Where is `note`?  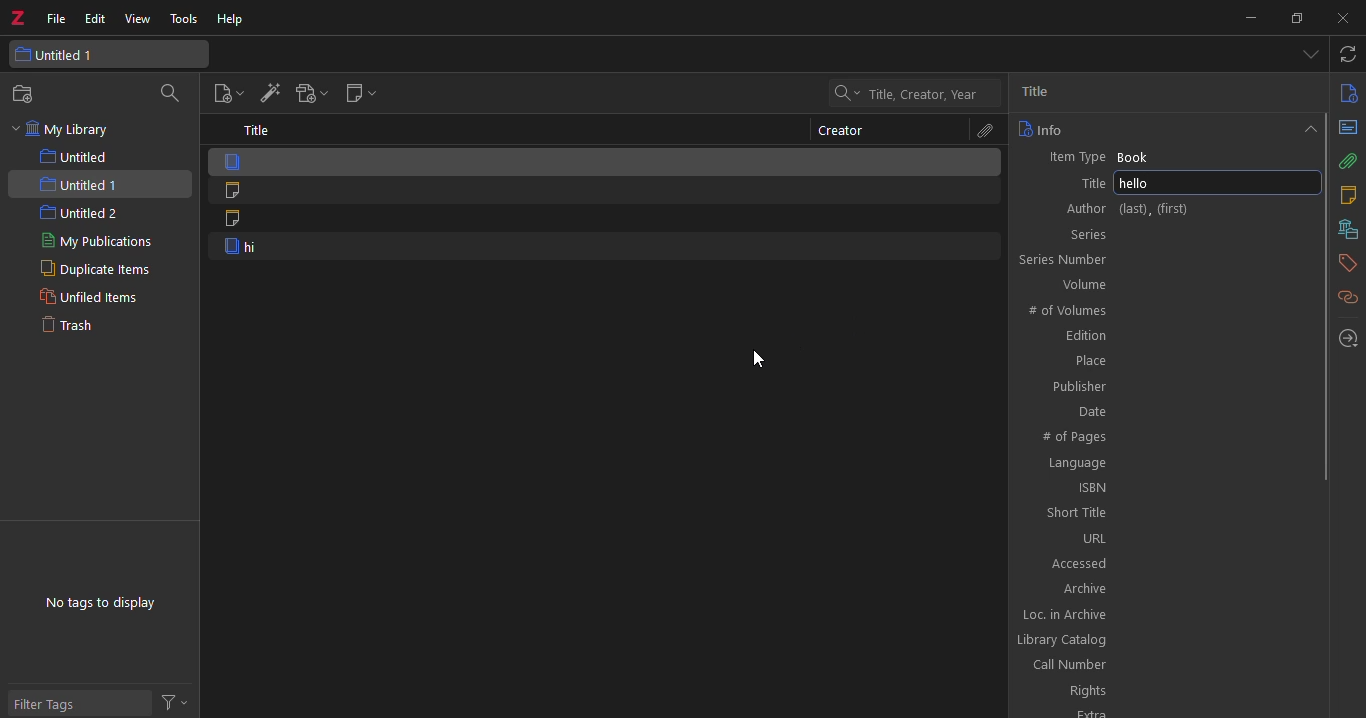 note is located at coordinates (602, 191).